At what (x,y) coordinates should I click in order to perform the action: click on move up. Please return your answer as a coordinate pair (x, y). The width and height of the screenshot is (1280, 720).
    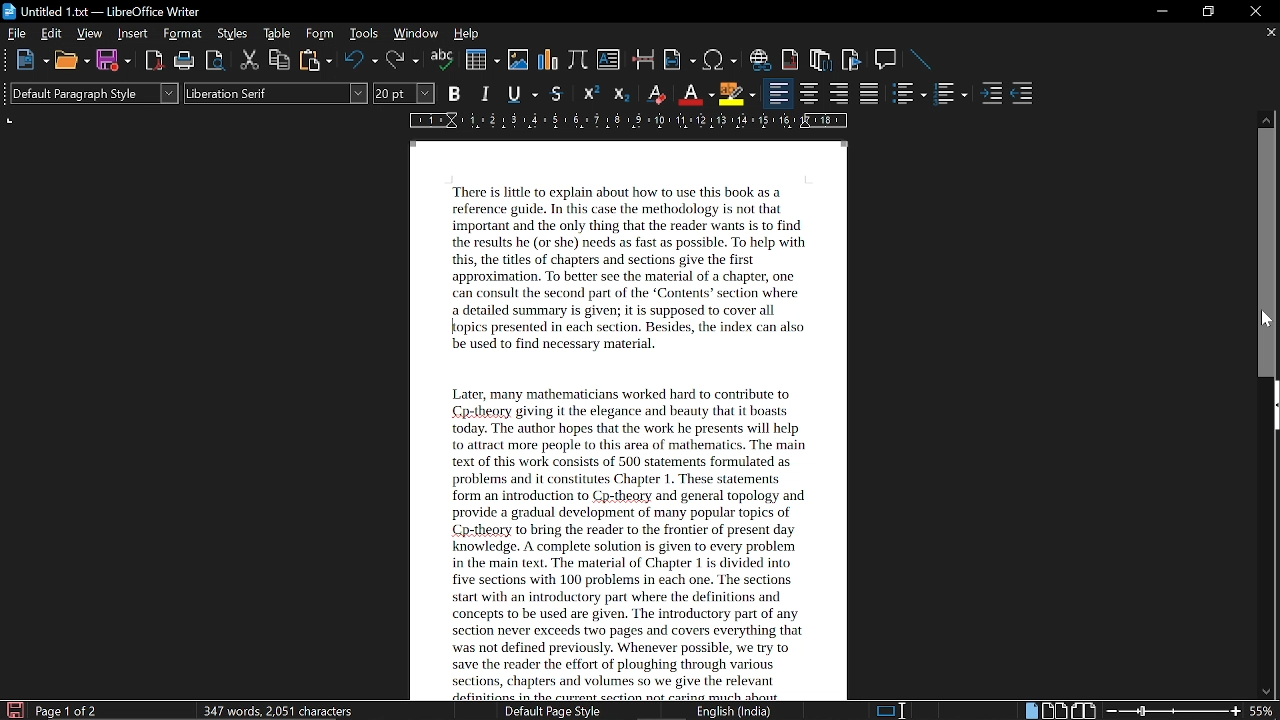
    Looking at the image, I should click on (1268, 117).